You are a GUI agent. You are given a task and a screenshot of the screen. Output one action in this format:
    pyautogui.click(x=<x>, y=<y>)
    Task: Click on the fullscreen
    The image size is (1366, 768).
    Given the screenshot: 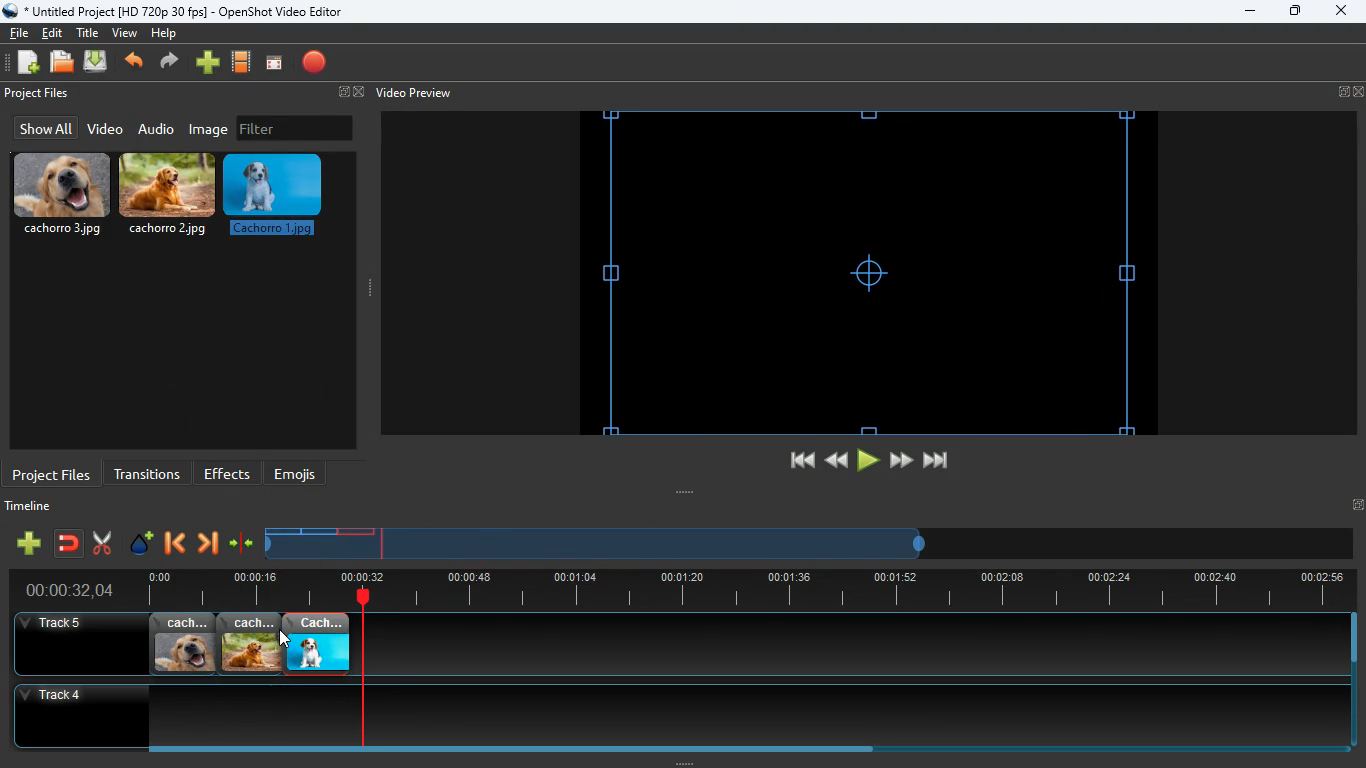 What is the action you would take?
    pyautogui.click(x=348, y=93)
    